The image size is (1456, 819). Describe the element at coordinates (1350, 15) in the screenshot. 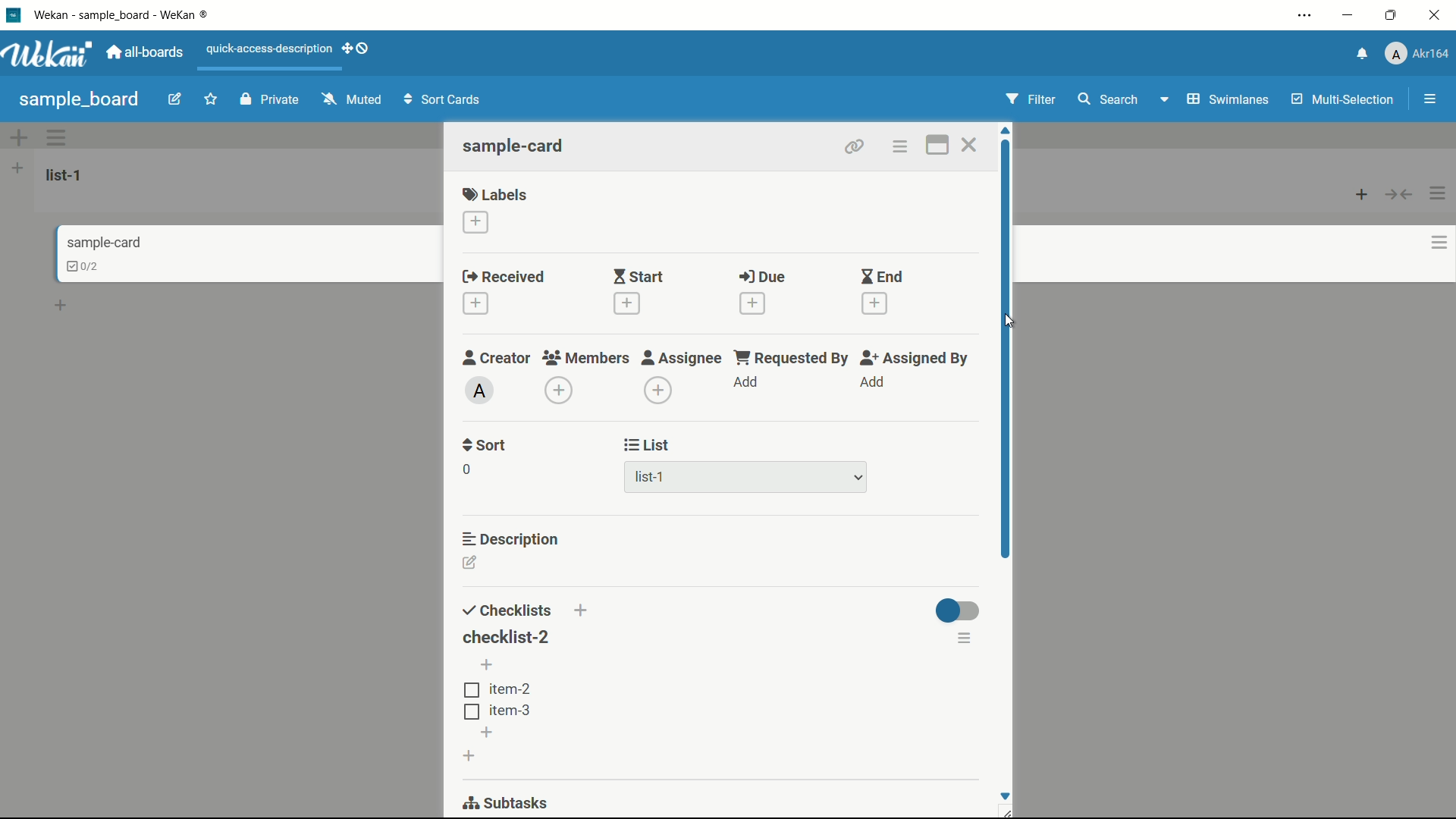

I see `minimize` at that location.